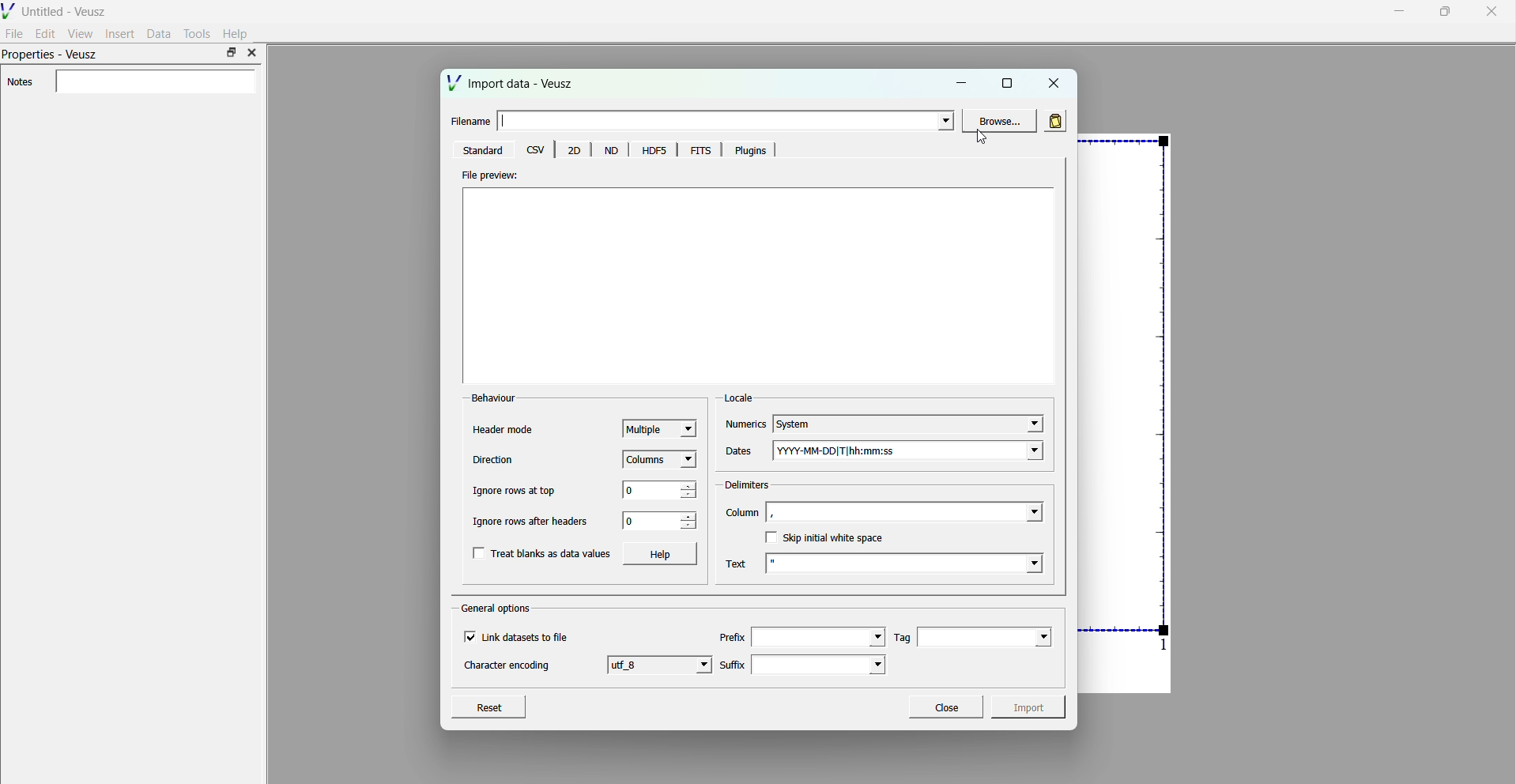 This screenshot has width=1516, height=784. Describe the element at coordinates (689, 496) in the screenshot. I see `decrease` at that location.